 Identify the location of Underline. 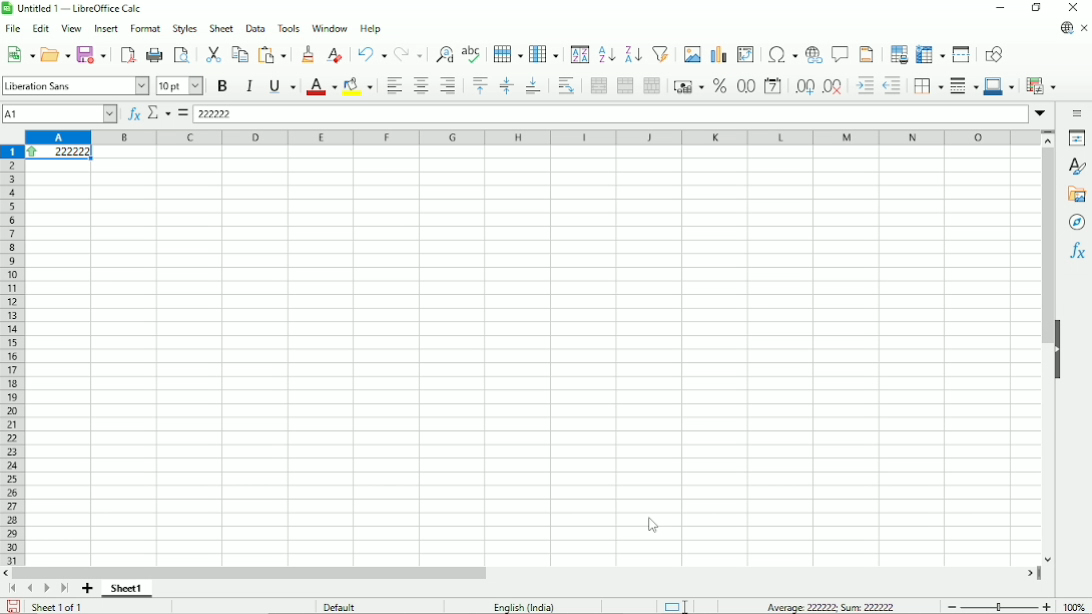
(282, 86).